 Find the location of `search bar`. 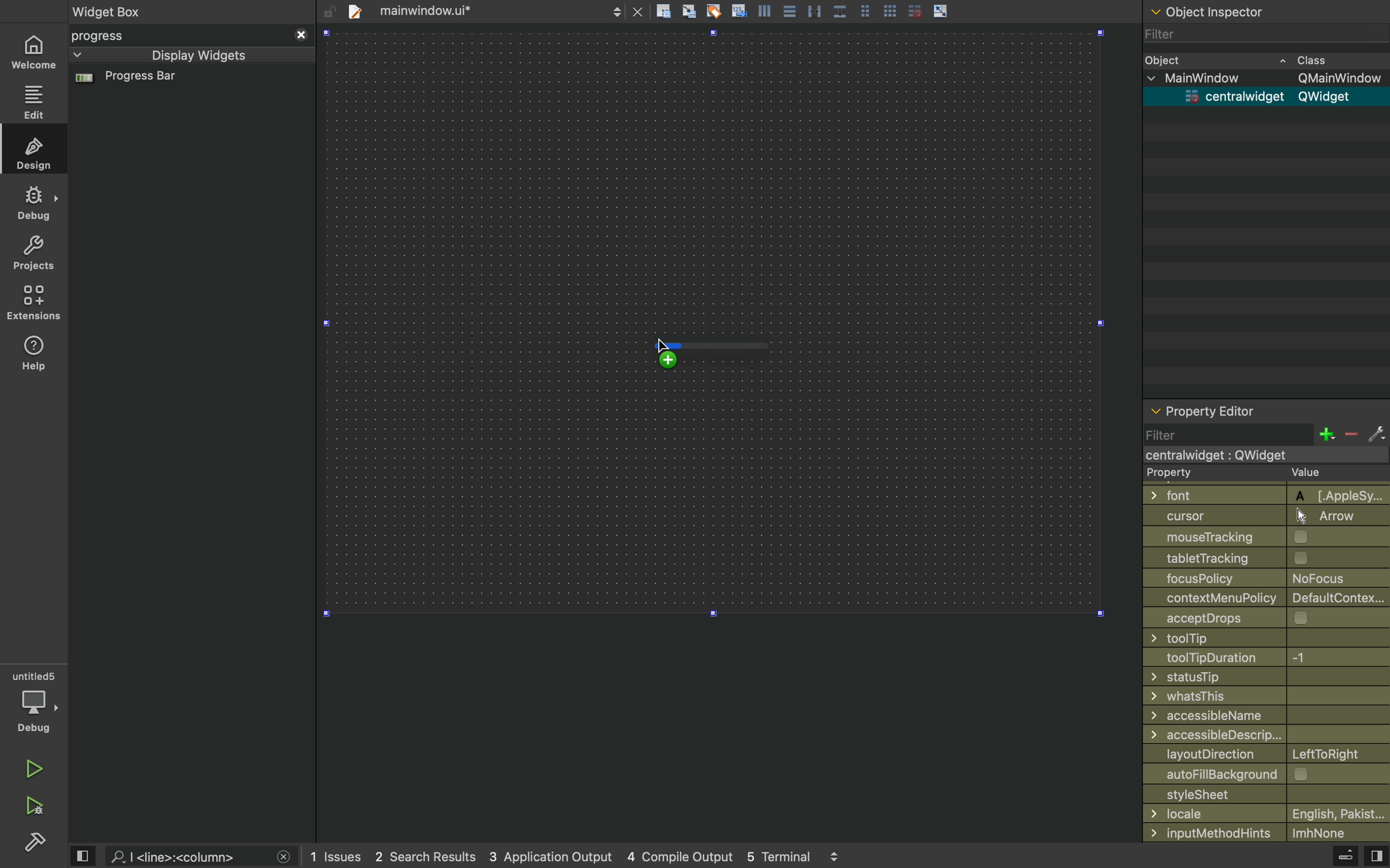

search bar is located at coordinates (199, 857).